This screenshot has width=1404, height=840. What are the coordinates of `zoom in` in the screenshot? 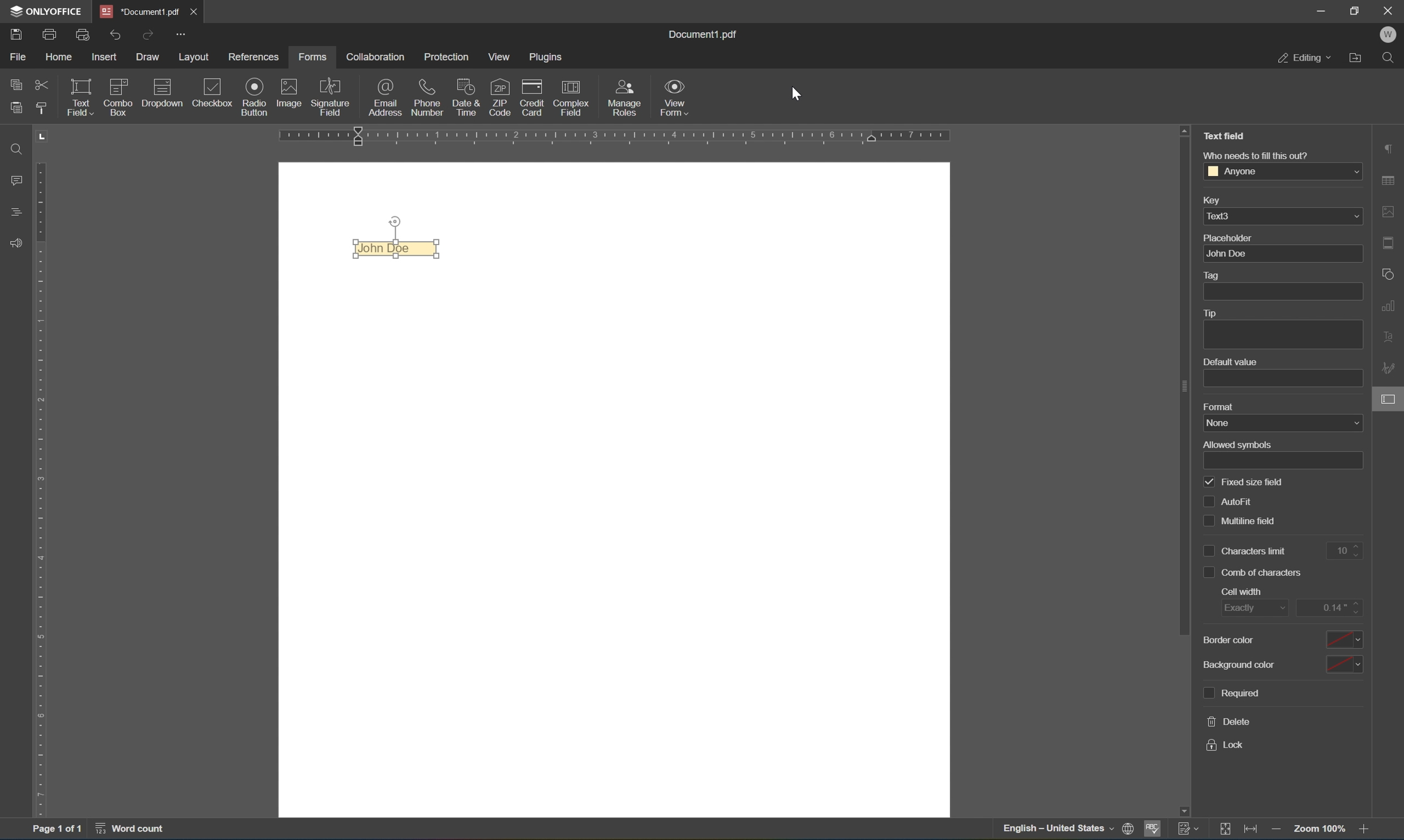 It's located at (1369, 832).